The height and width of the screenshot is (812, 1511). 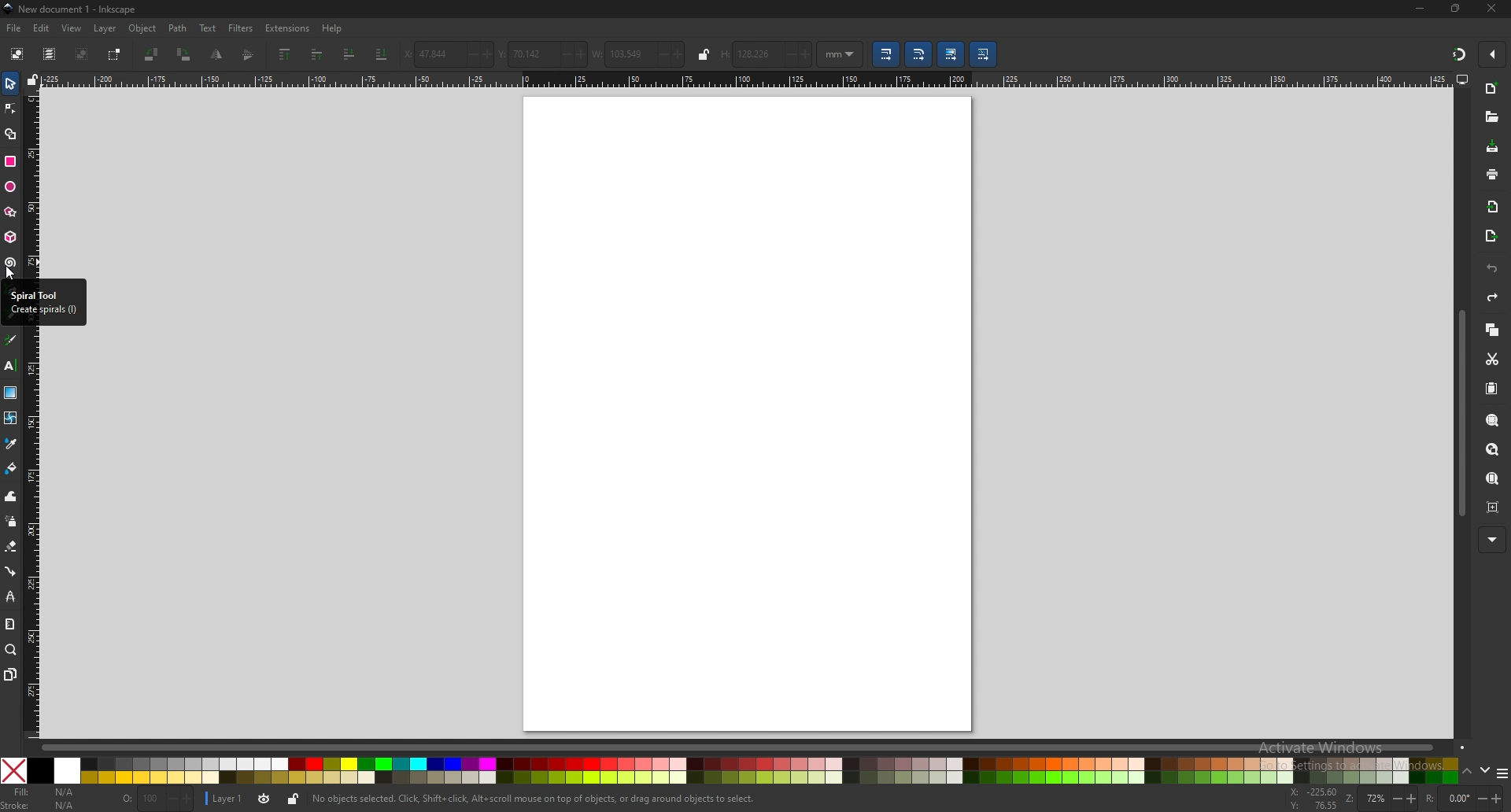 I want to click on rotate 90 degree cw, so click(x=184, y=55).